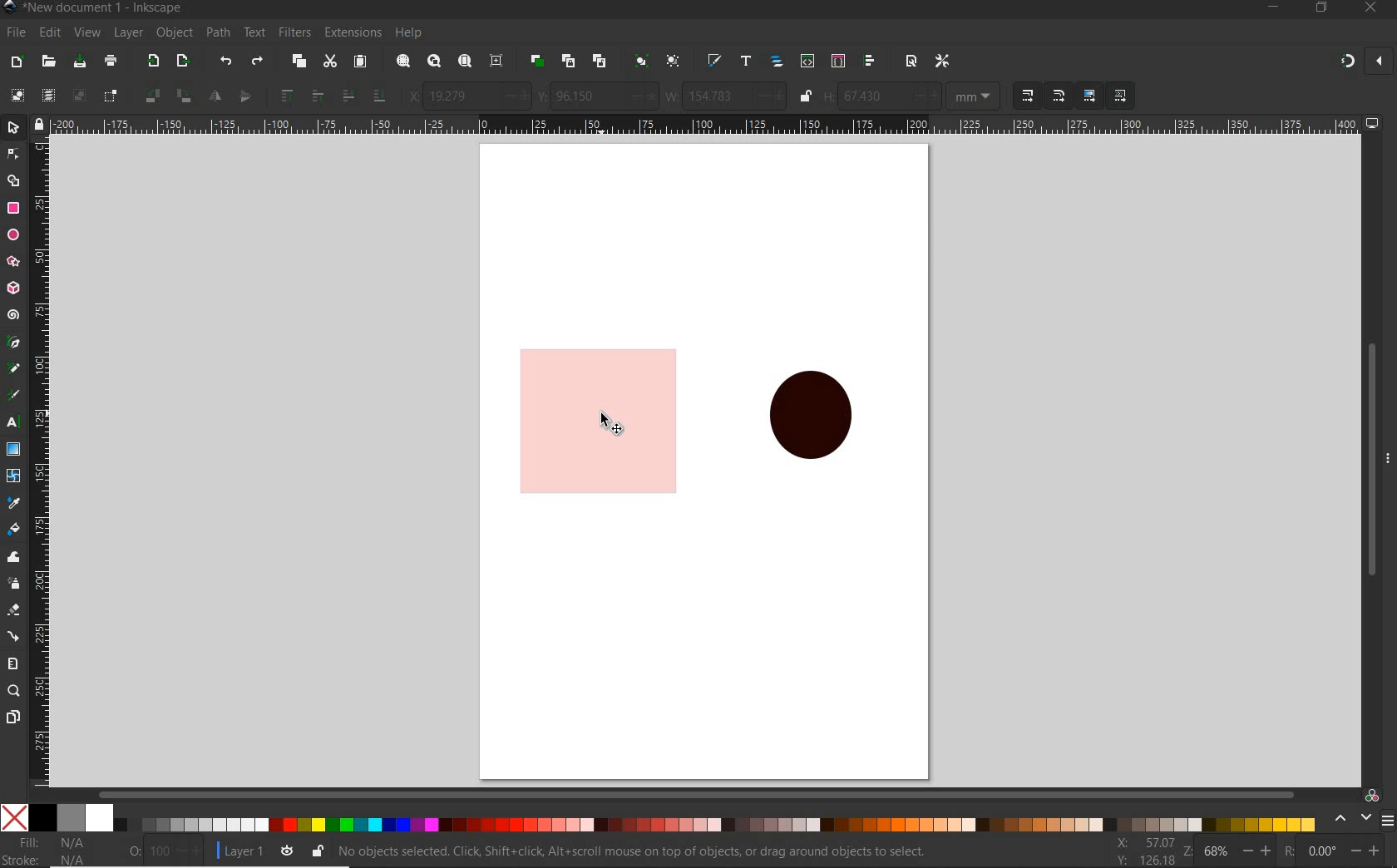  Describe the element at coordinates (409, 33) in the screenshot. I see `help` at that location.